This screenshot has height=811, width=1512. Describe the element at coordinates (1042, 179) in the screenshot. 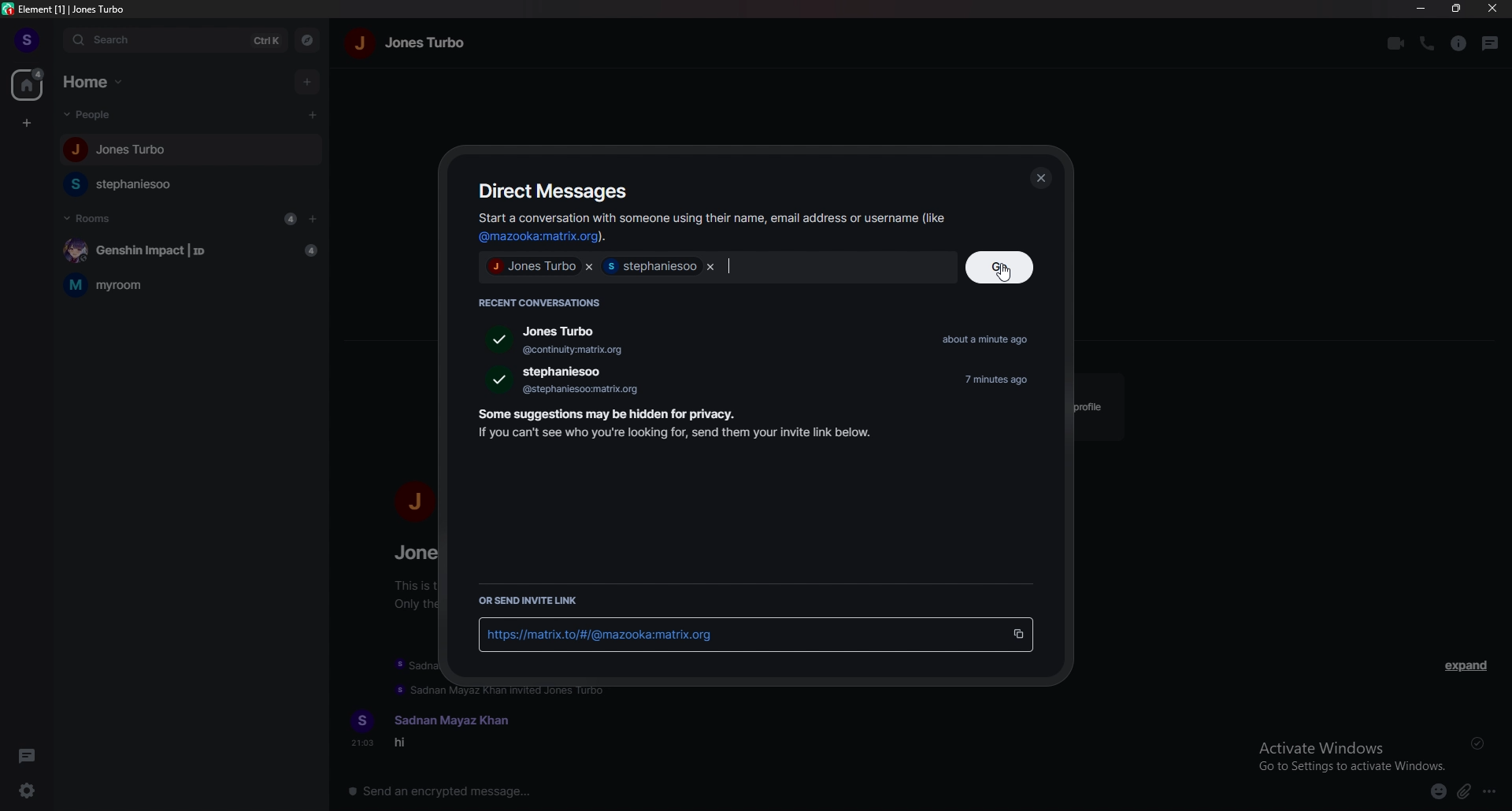

I see `close` at that location.